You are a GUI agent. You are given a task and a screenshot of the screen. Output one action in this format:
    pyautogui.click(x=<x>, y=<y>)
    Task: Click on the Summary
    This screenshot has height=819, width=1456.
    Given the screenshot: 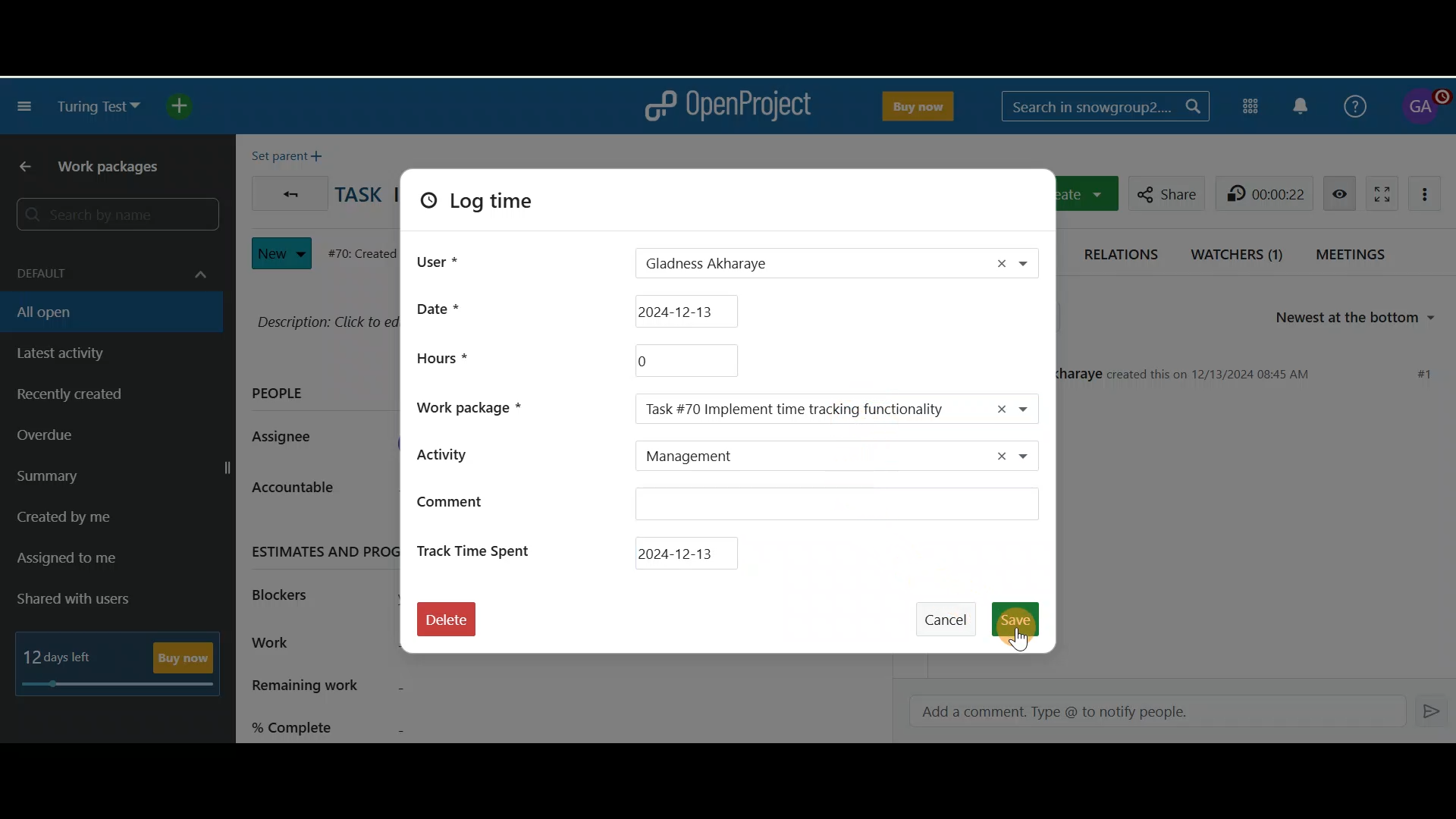 What is the action you would take?
    pyautogui.click(x=120, y=479)
    